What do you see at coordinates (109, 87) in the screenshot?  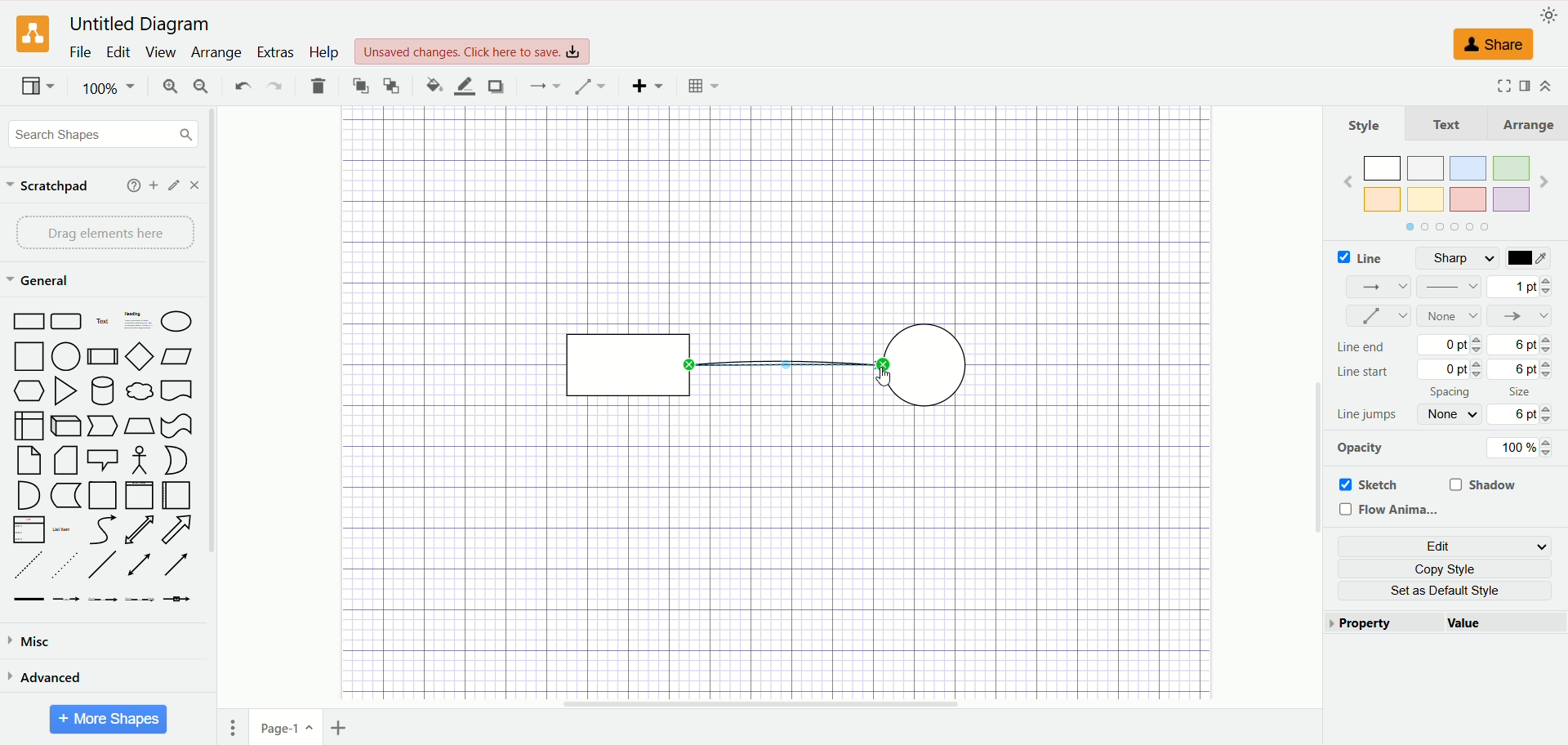 I see `100%` at bounding box center [109, 87].